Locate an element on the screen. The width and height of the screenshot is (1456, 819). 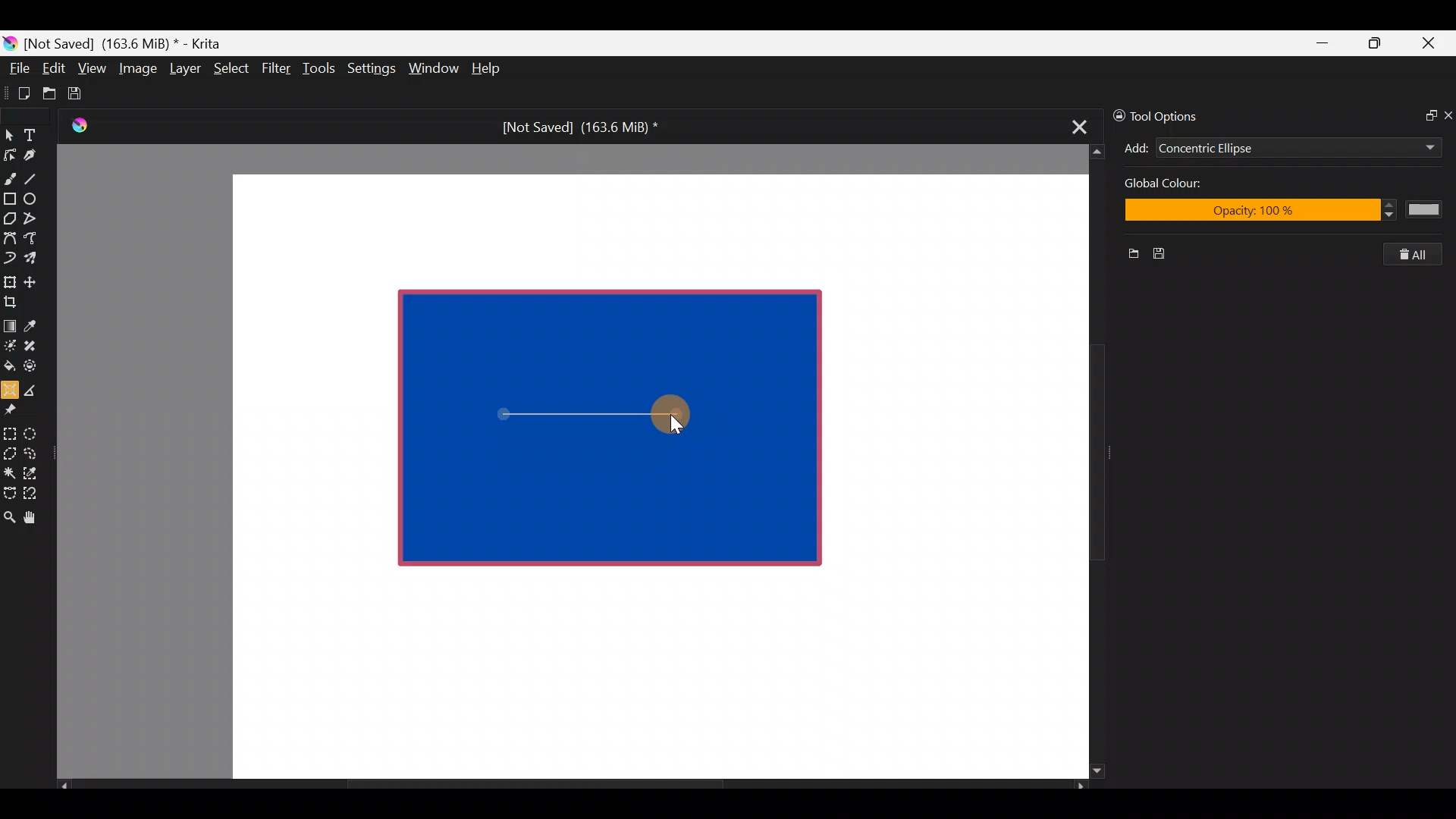
Krita Logo is located at coordinates (77, 125).